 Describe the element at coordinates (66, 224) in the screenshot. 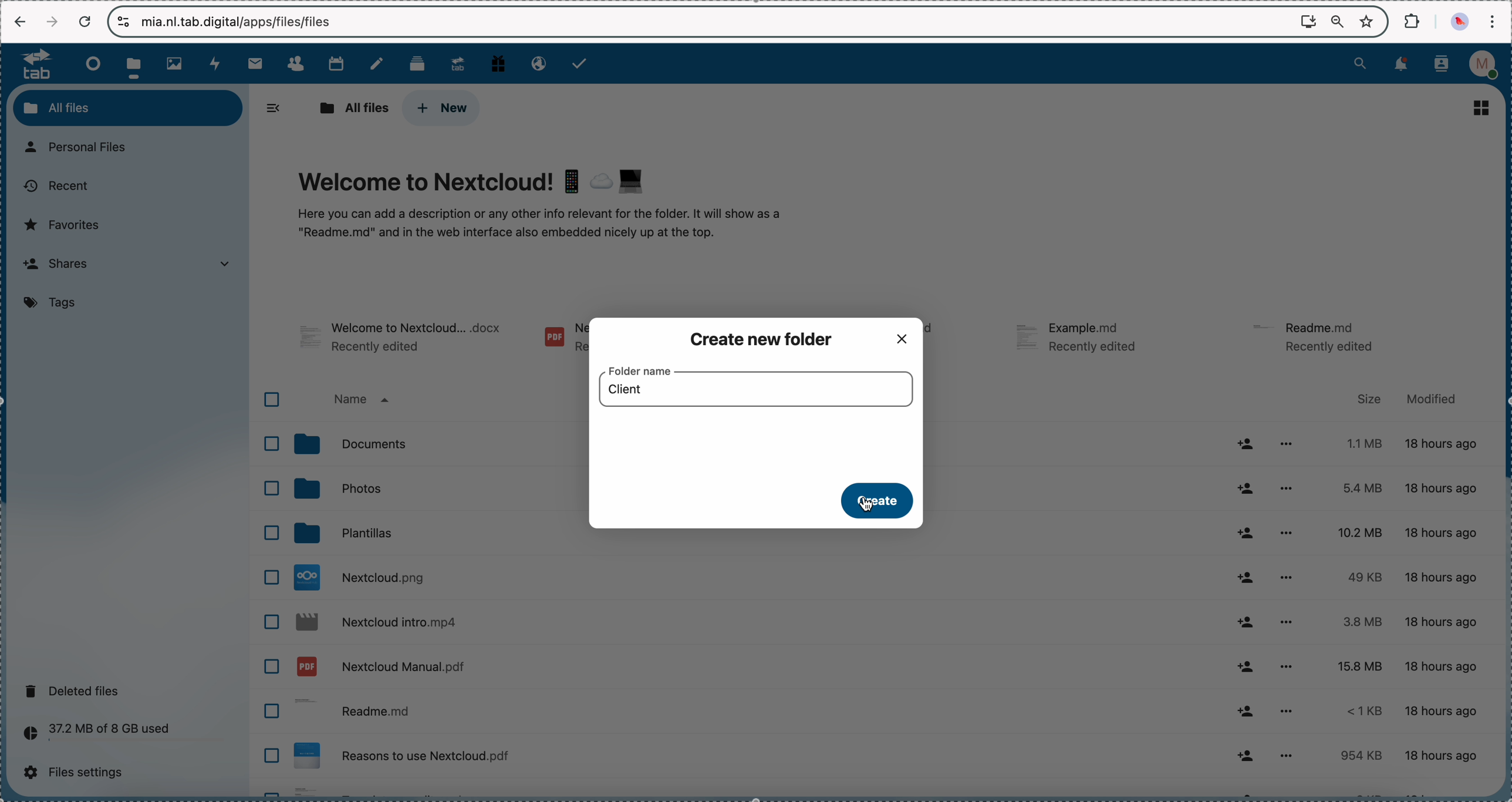

I see `favorites` at that location.